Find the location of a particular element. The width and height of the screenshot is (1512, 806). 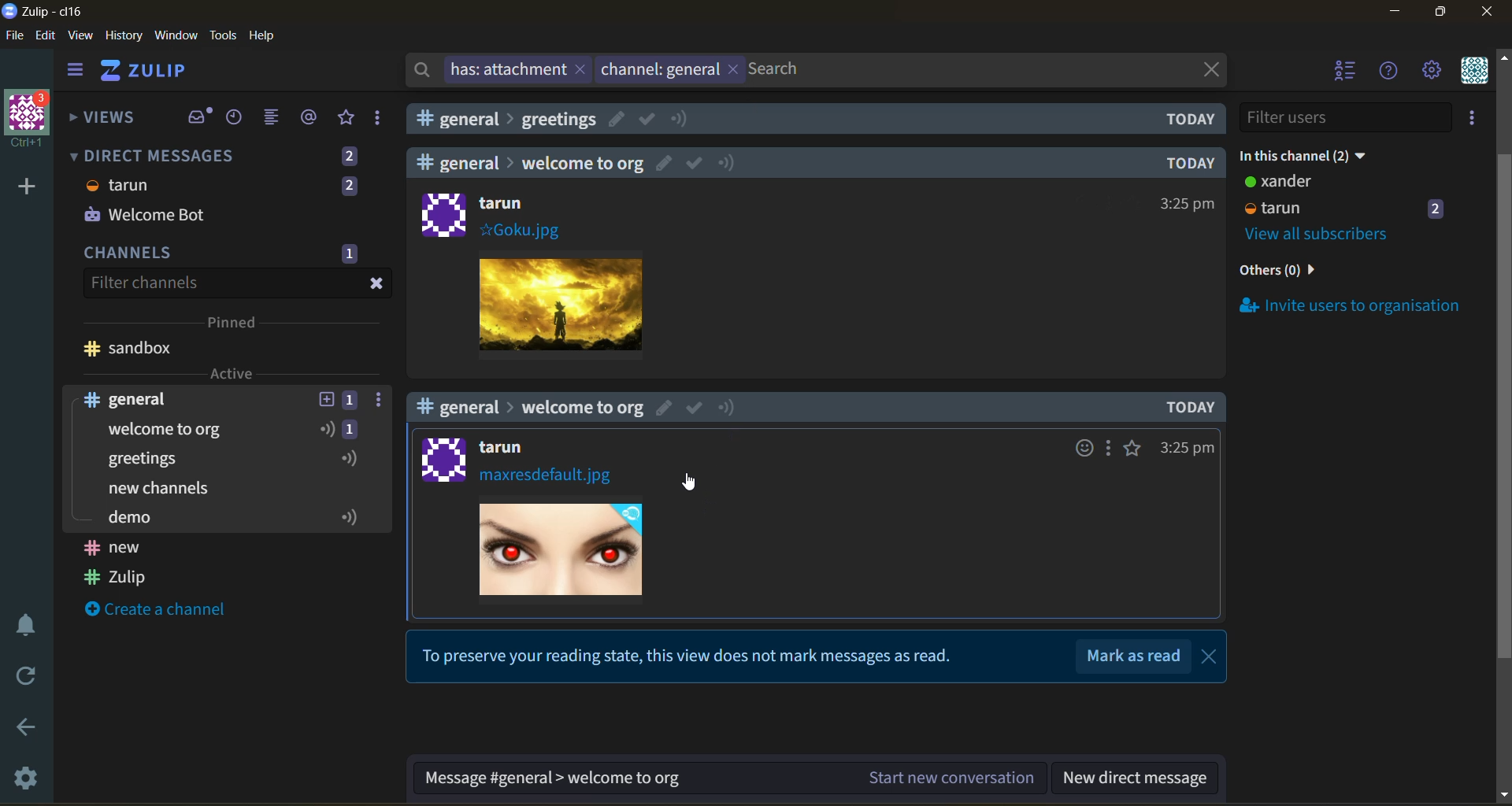

# general is located at coordinates (130, 399).